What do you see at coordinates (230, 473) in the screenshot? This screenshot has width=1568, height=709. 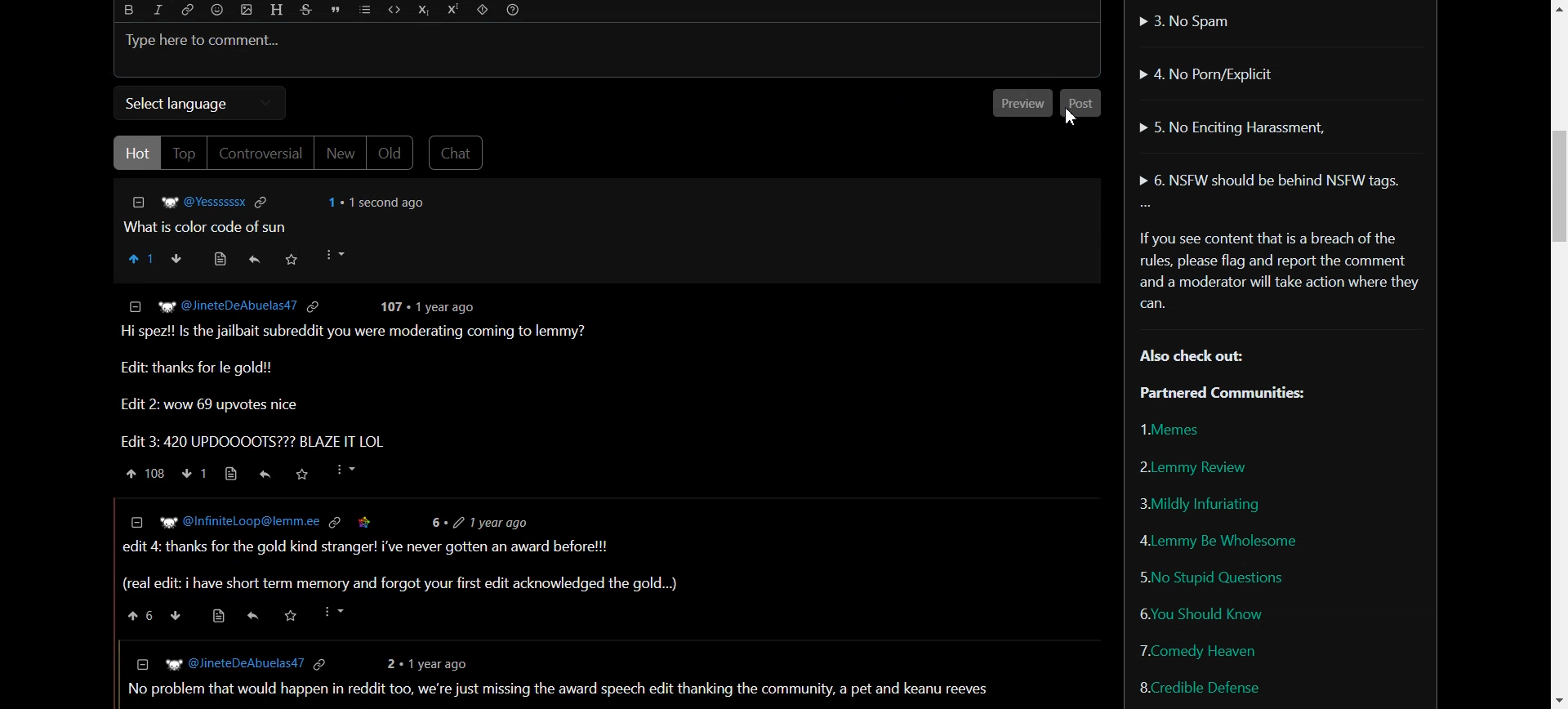 I see `source` at bounding box center [230, 473].